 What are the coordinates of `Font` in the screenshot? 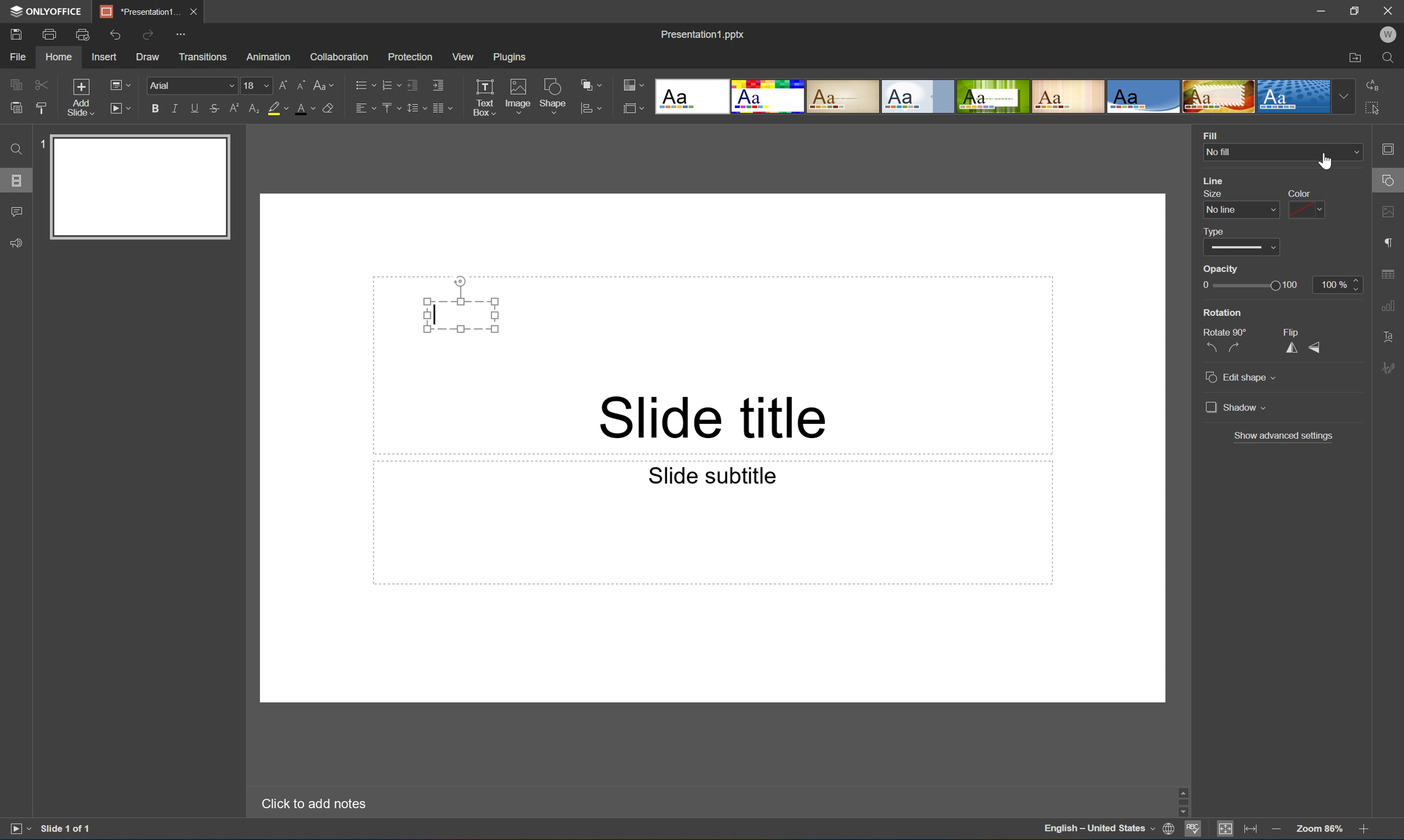 It's located at (194, 86).